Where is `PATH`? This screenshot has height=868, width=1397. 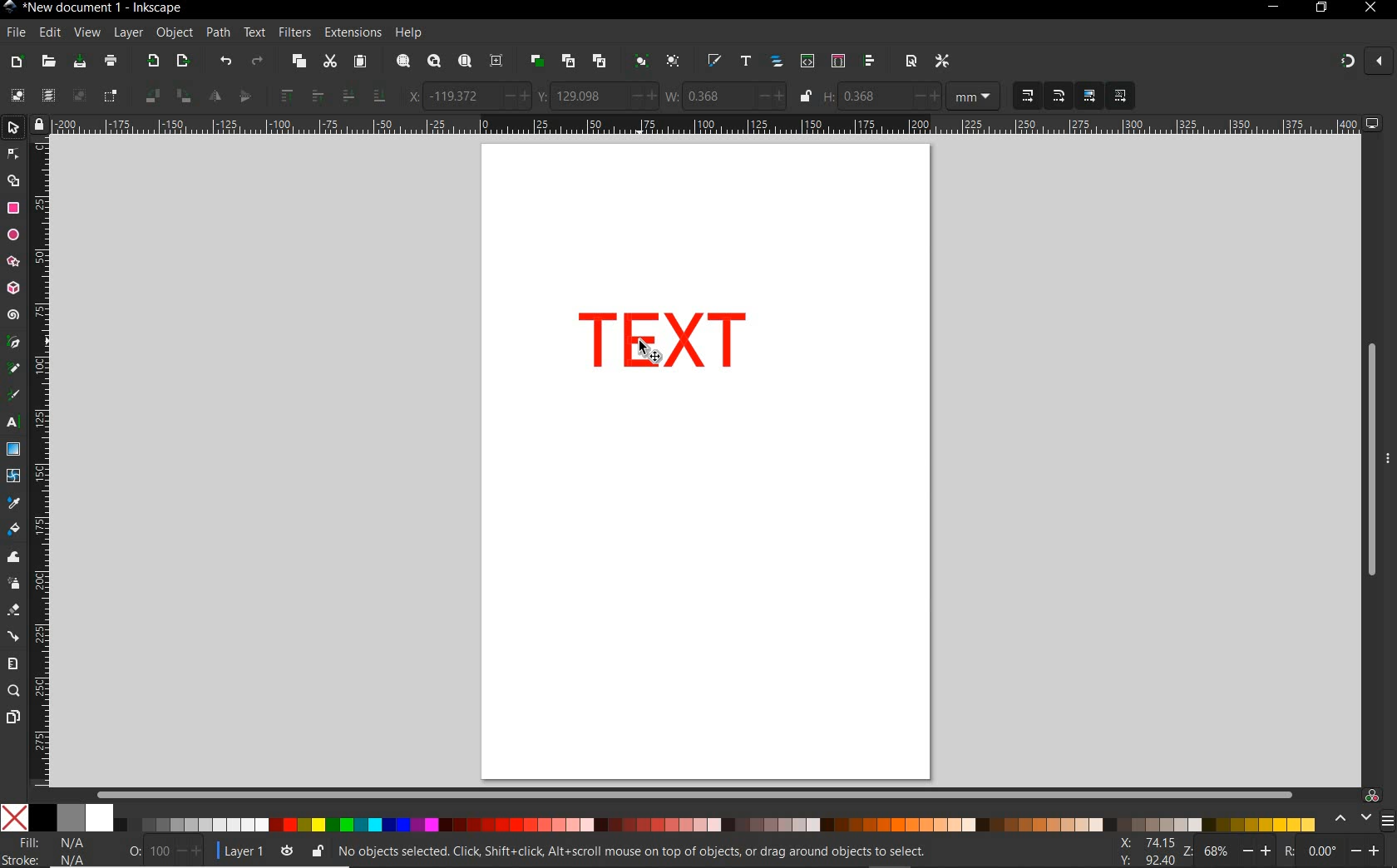 PATH is located at coordinates (217, 33).